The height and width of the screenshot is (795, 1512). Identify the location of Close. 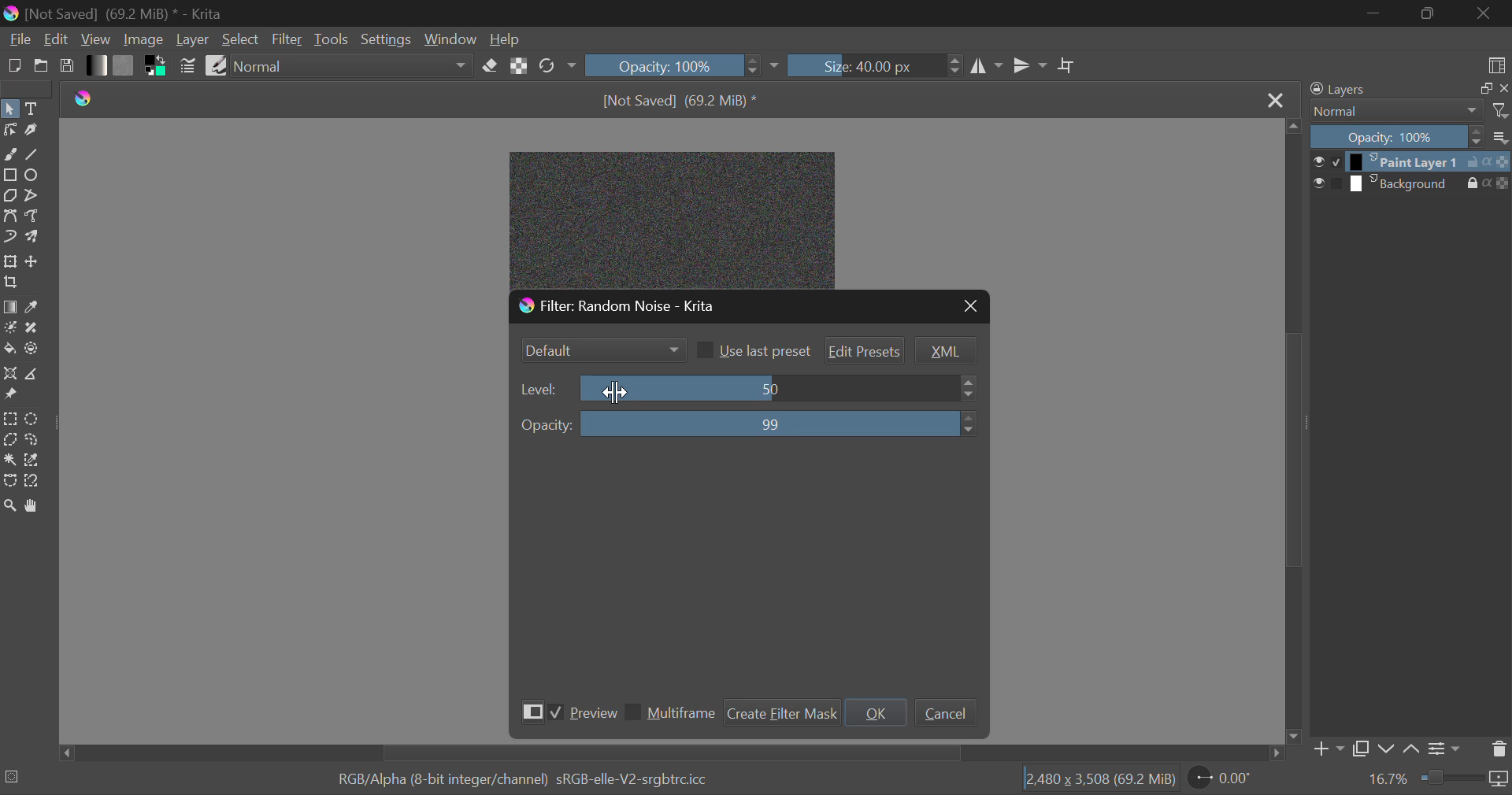
(1275, 98).